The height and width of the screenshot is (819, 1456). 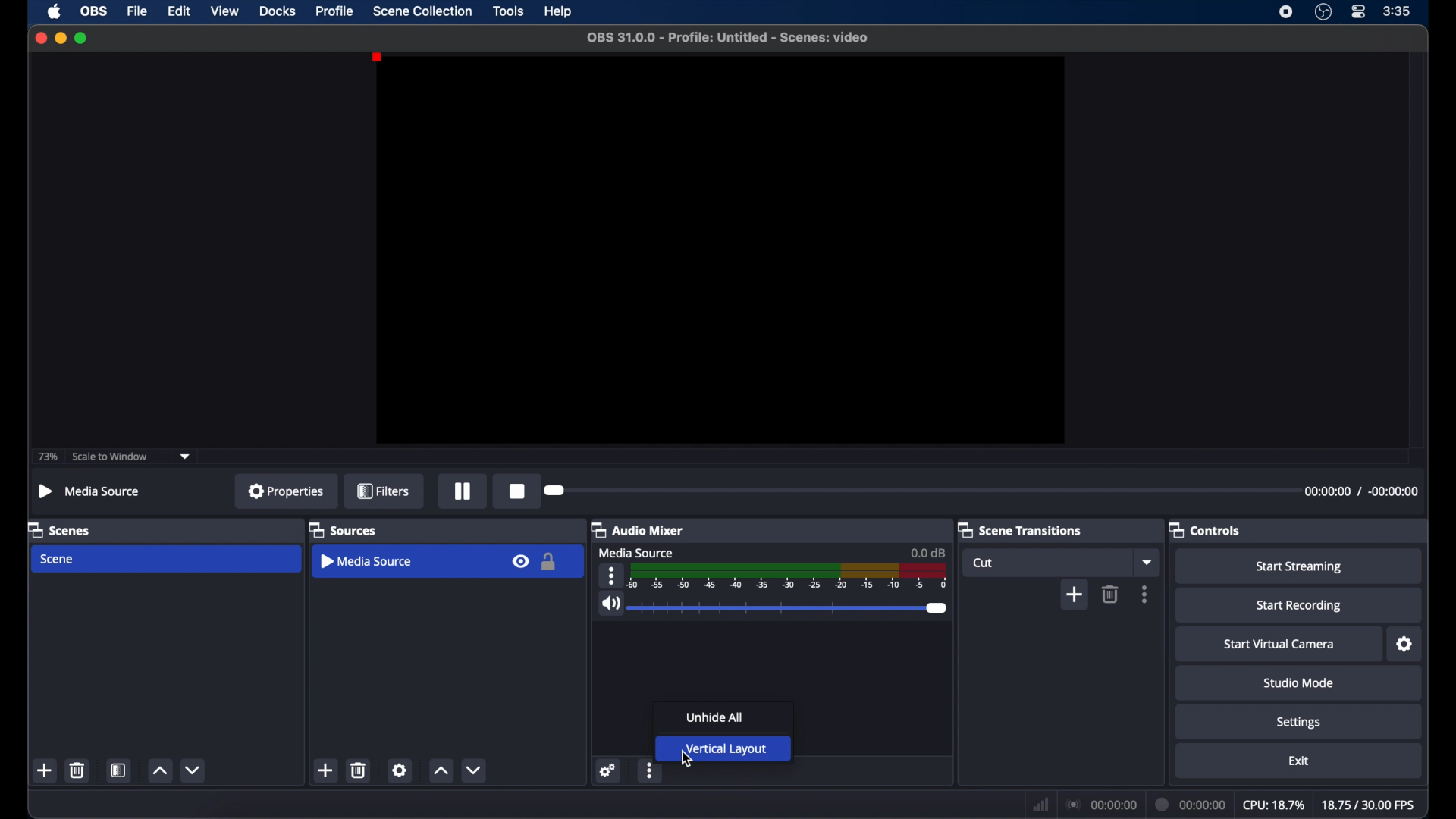 What do you see at coordinates (983, 563) in the screenshot?
I see `cut` at bounding box center [983, 563].